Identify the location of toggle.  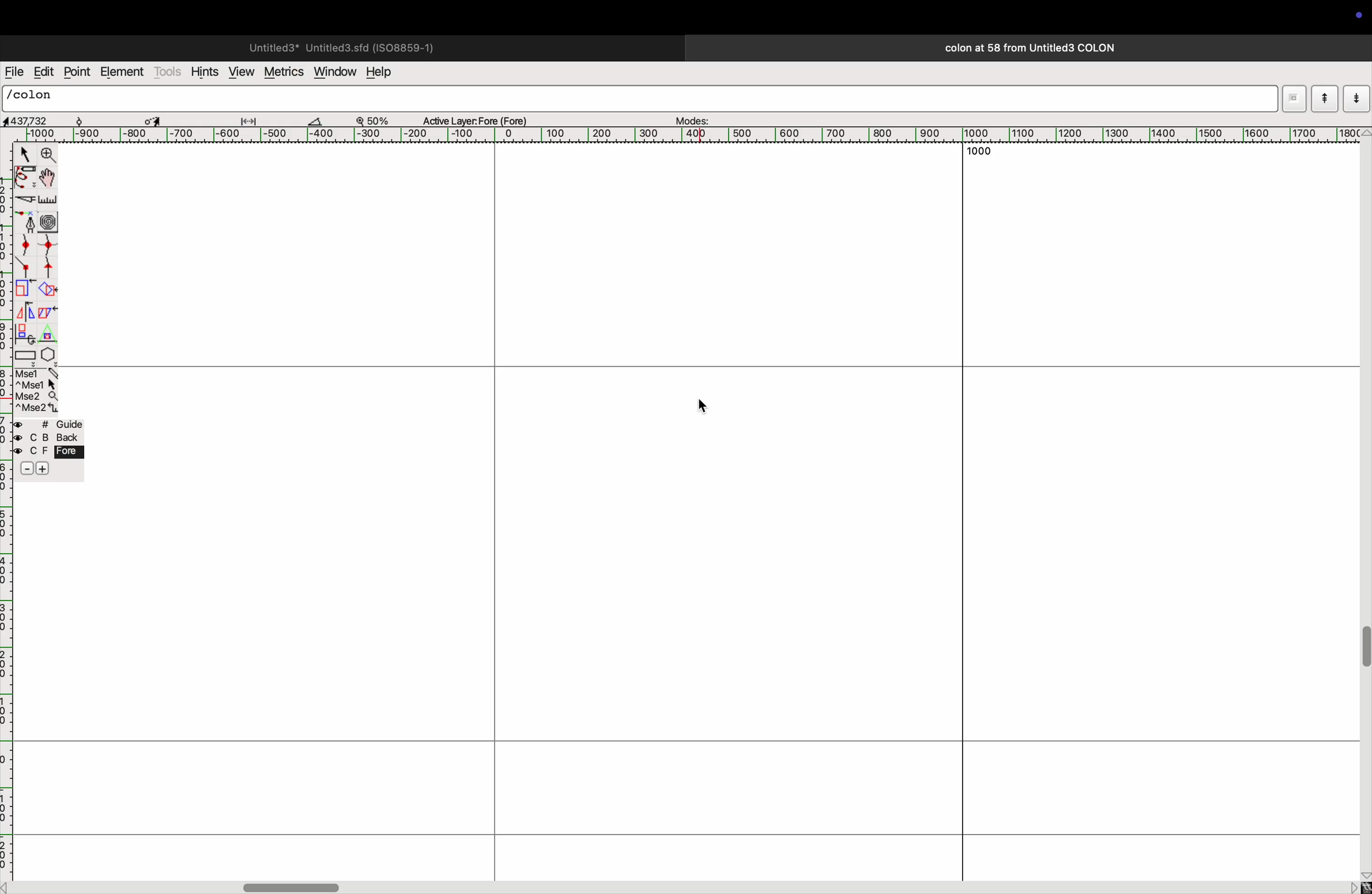
(153, 119).